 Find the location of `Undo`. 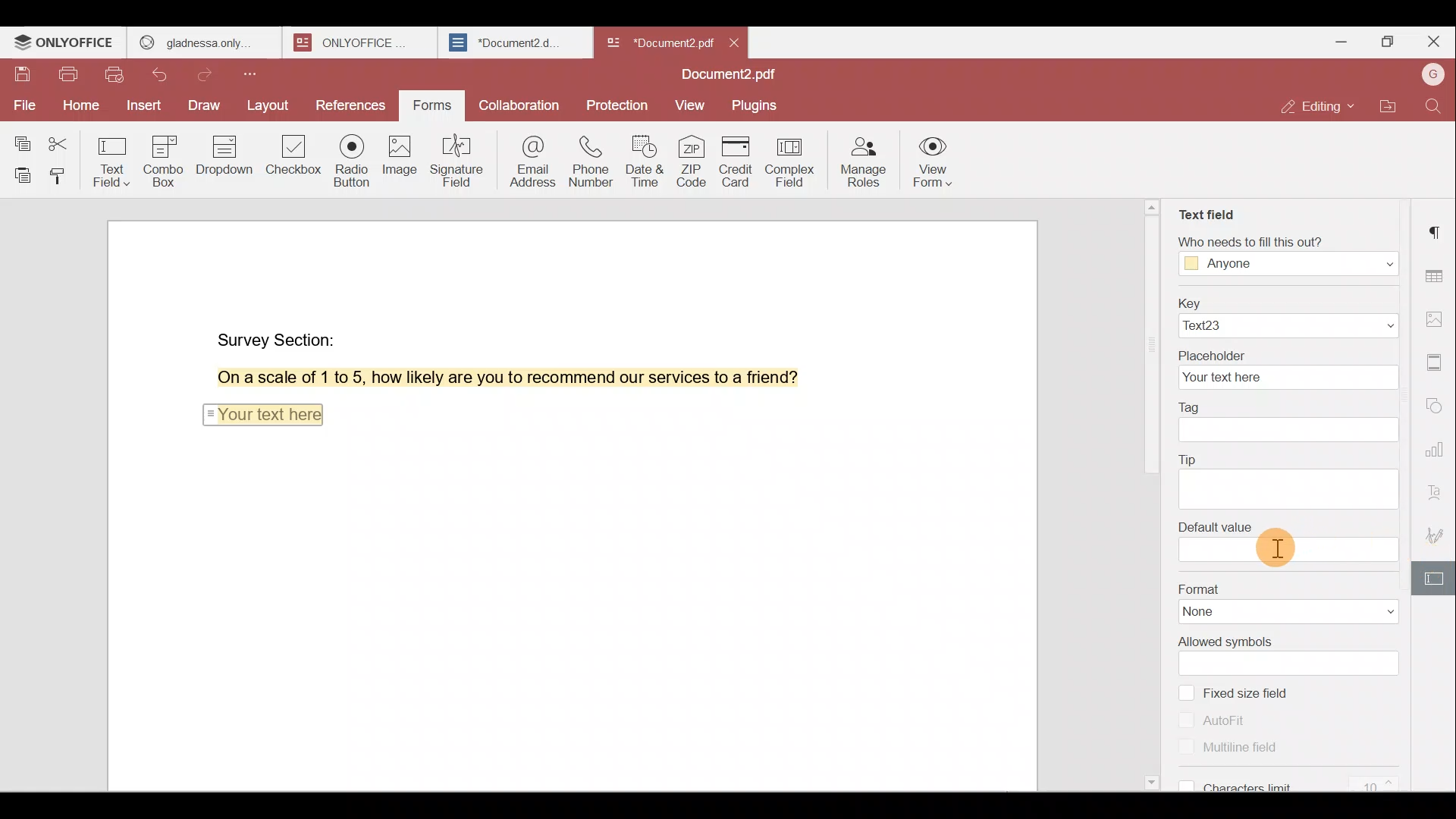

Undo is located at coordinates (168, 77).